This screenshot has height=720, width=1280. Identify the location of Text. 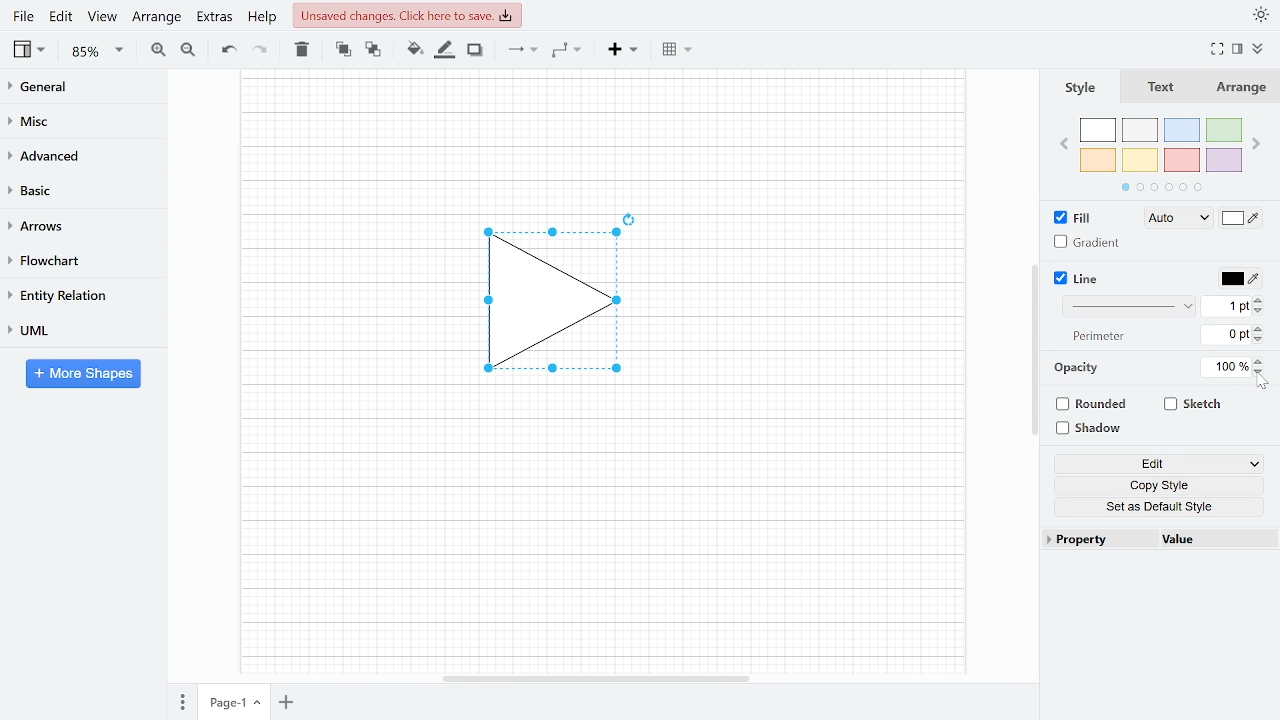
(1157, 88).